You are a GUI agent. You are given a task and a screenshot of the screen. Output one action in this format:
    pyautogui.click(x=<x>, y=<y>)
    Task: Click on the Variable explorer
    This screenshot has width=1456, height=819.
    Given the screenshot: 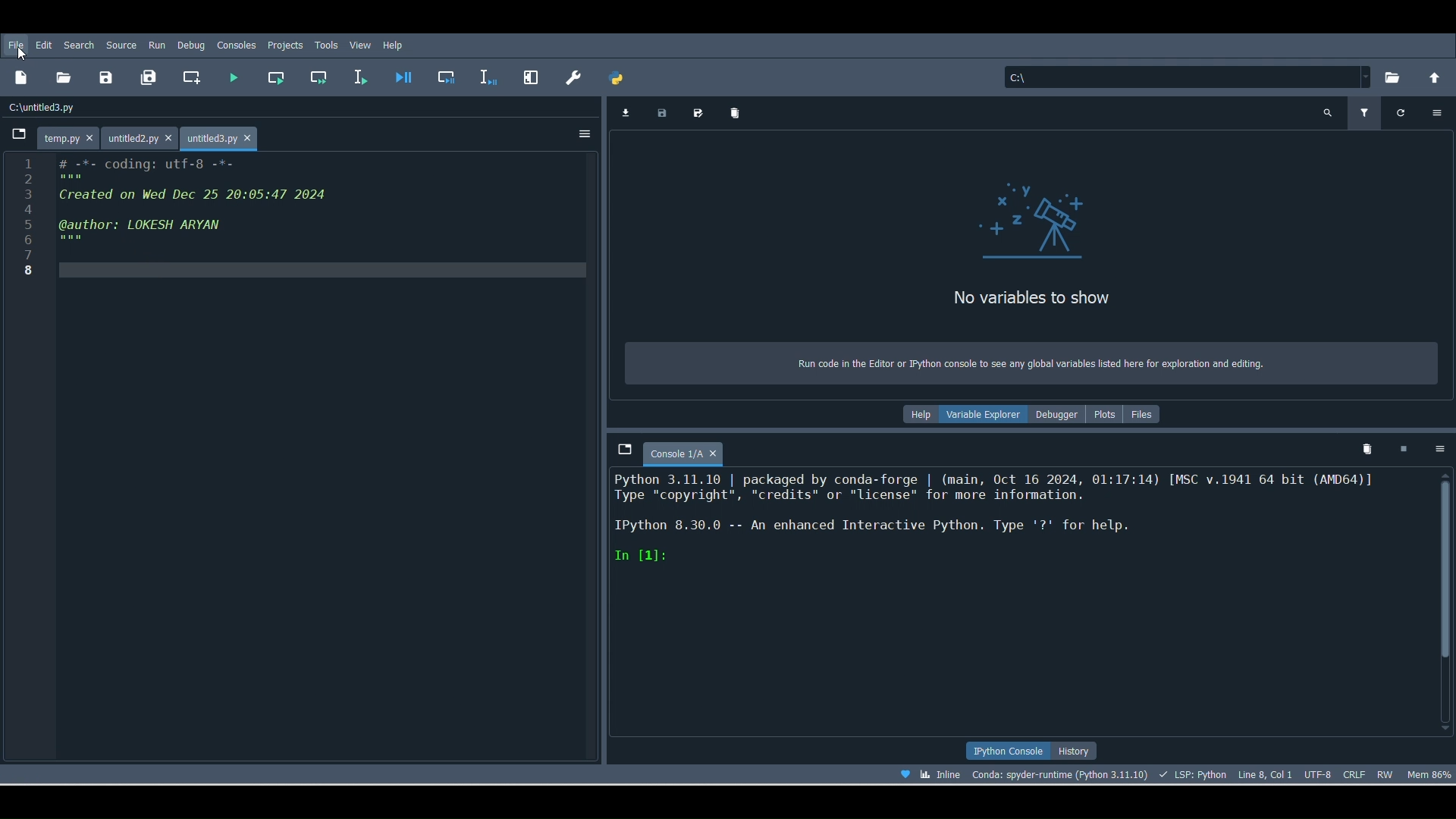 What is the action you would take?
    pyautogui.click(x=986, y=417)
    